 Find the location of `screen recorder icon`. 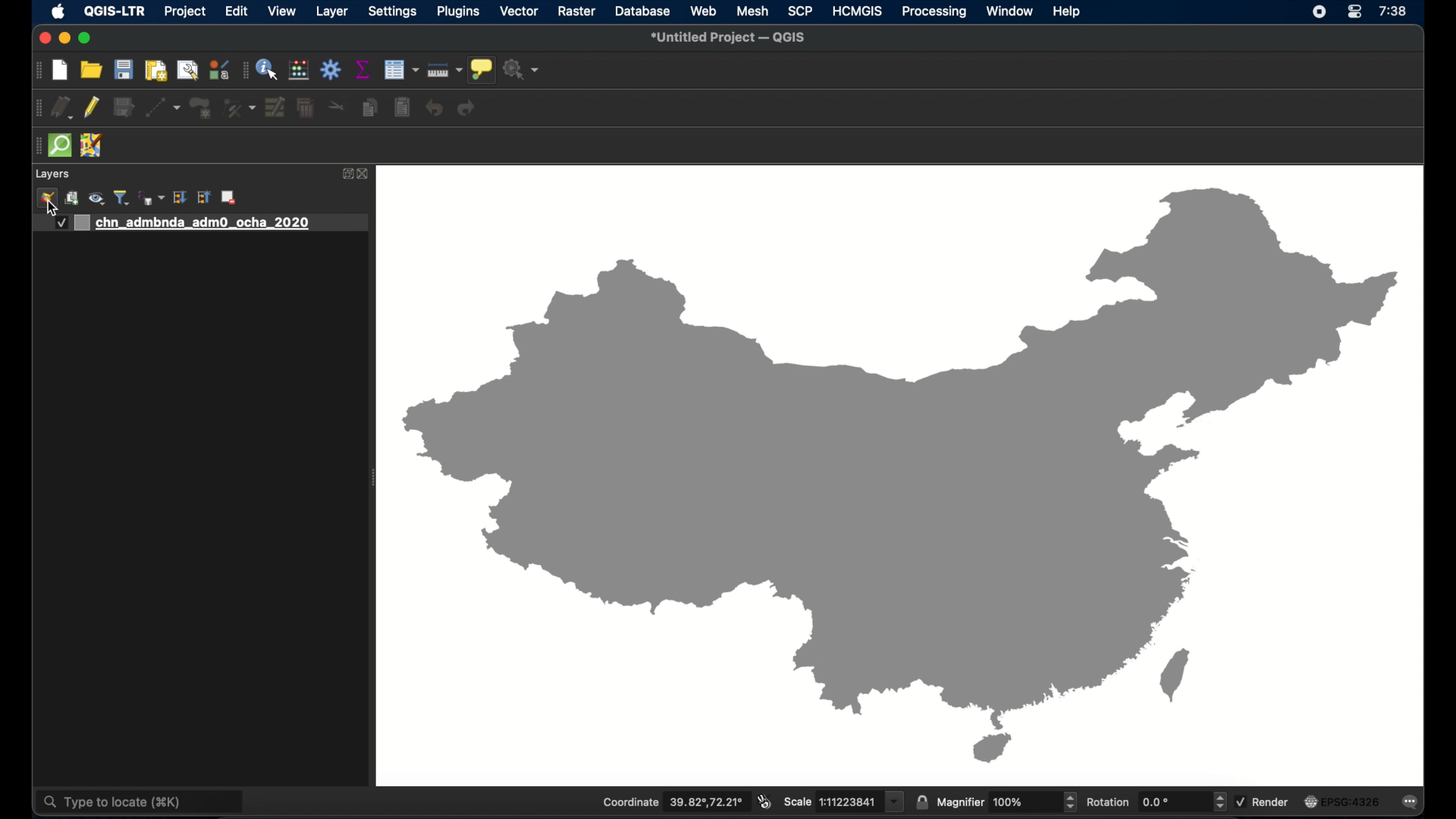

screen recorder icon is located at coordinates (1319, 12).